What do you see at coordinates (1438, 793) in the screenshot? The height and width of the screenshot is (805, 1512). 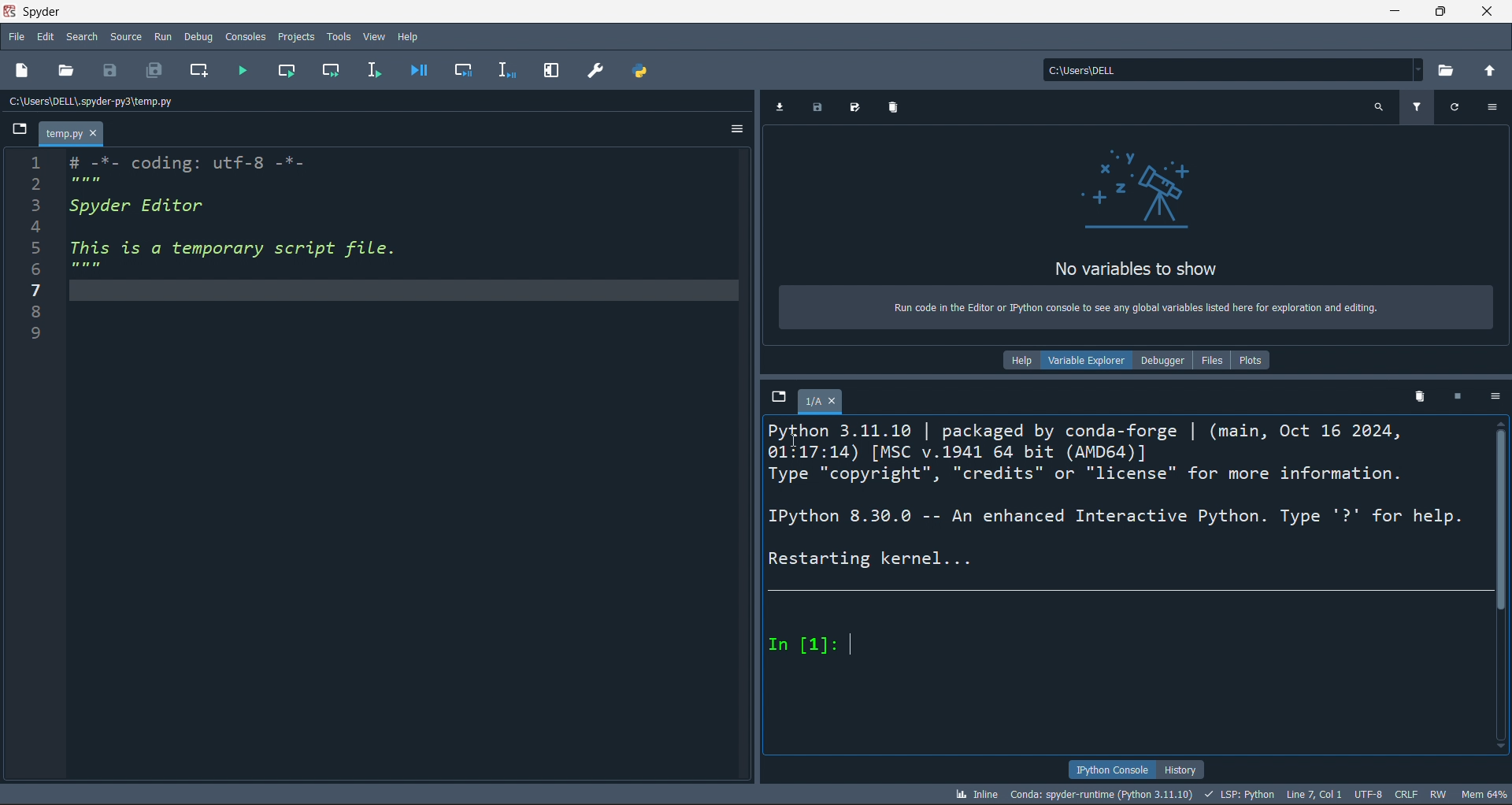 I see `RW` at bounding box center [1438, 793].